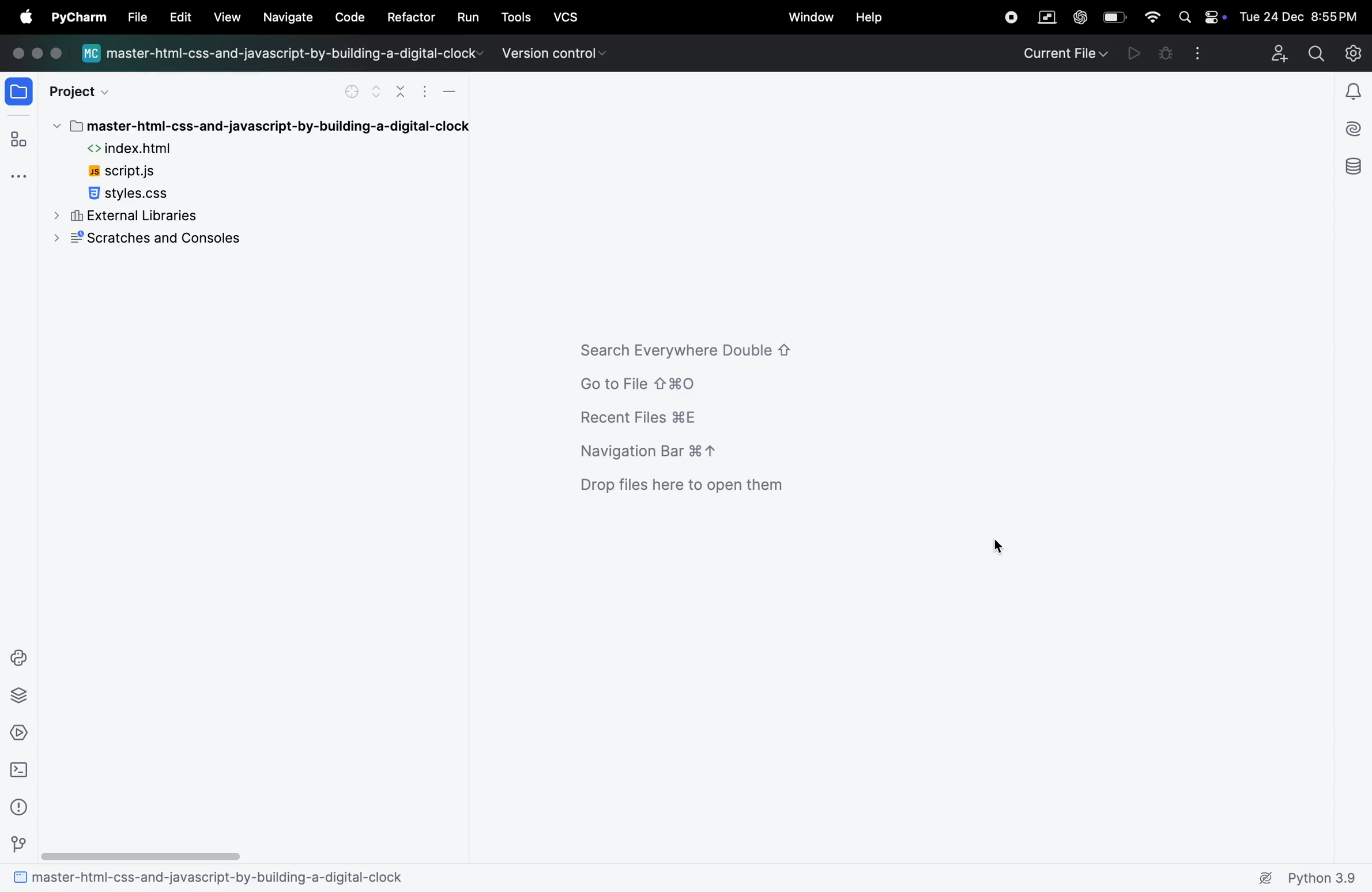 Image resolution: width=1372 pixels, height=892 pixels. Describe the element at coordinates (425, 95) in the screenshot. I see `options` at that location.